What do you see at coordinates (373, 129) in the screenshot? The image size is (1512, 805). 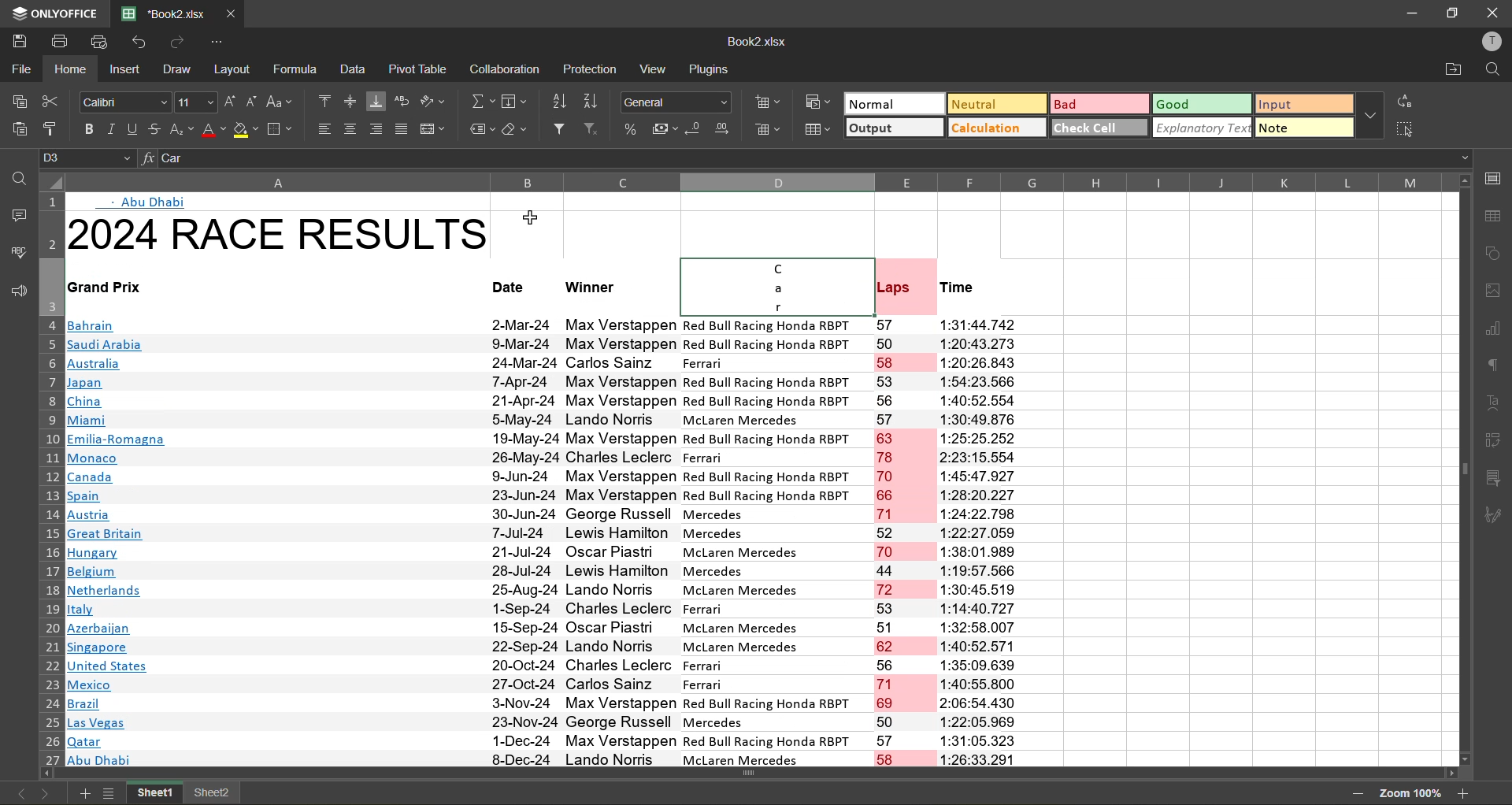 I see `align right` at bounding box center [373, 129].